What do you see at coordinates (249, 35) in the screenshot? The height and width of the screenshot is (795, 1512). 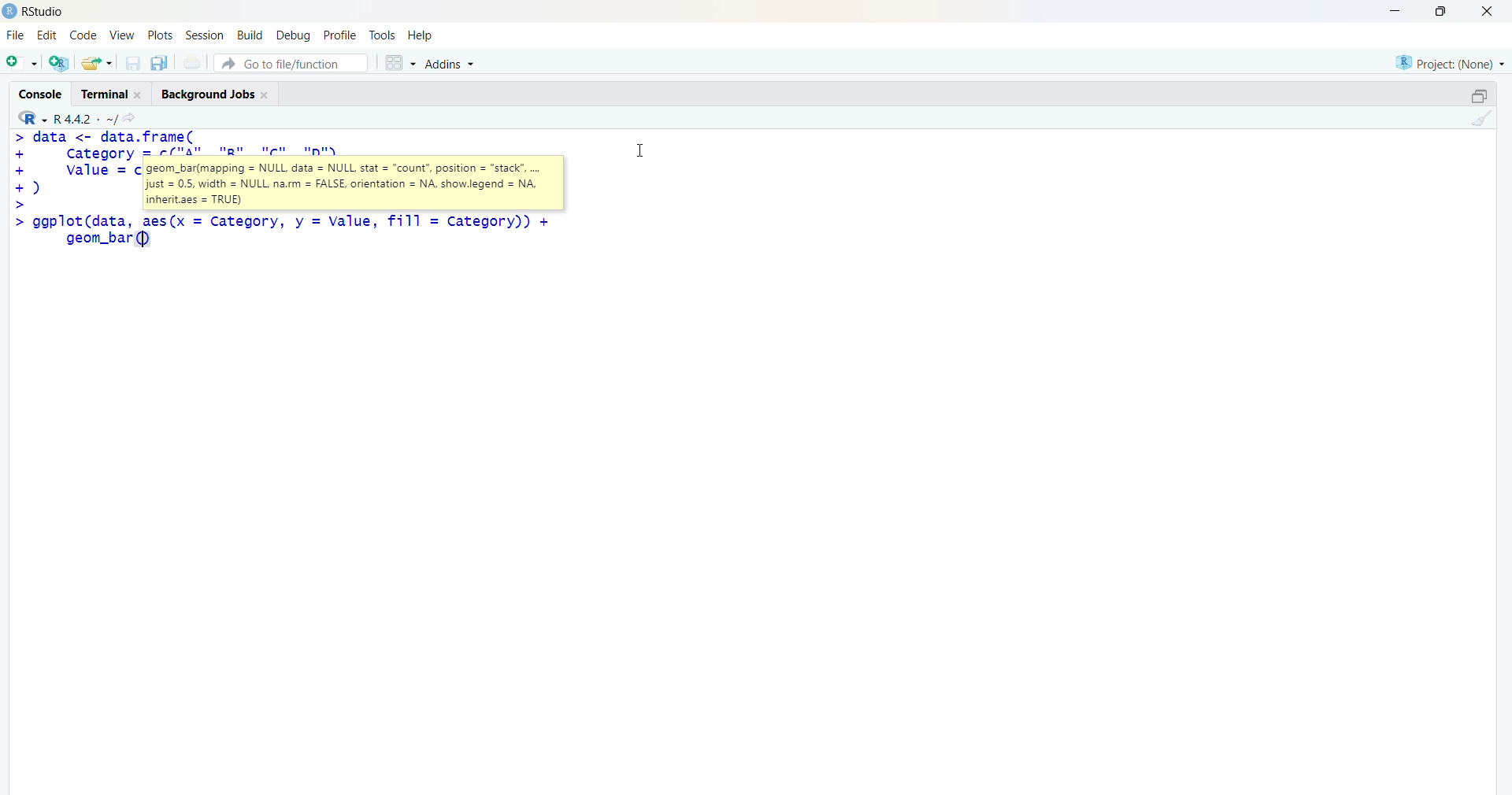 I see `build` at bounding box center [249, 35].